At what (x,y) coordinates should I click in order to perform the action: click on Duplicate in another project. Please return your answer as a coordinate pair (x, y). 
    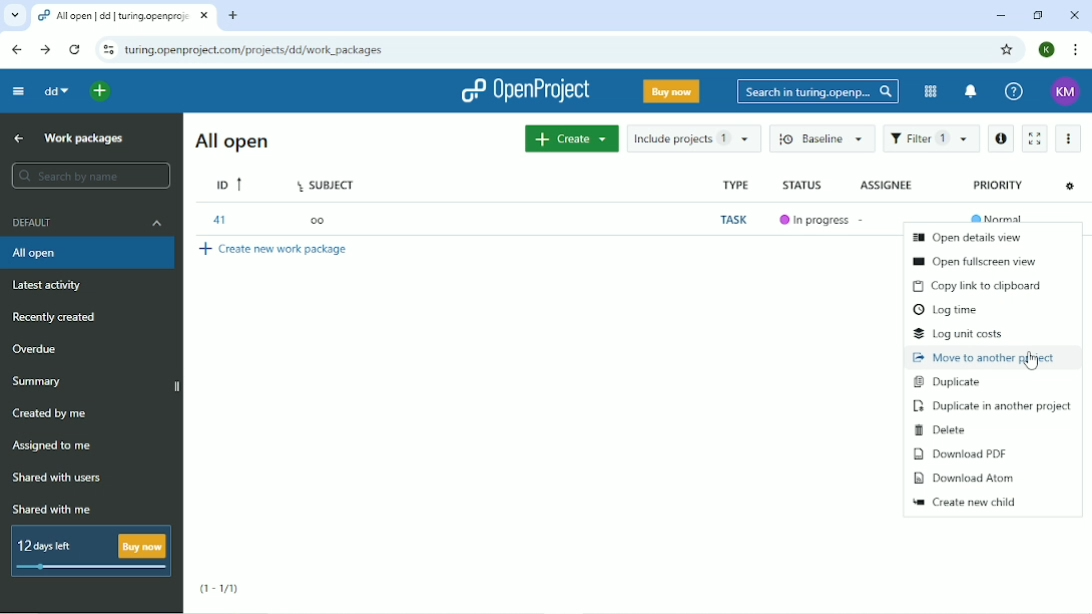
    Looking at the image, I should click on (992, 405).